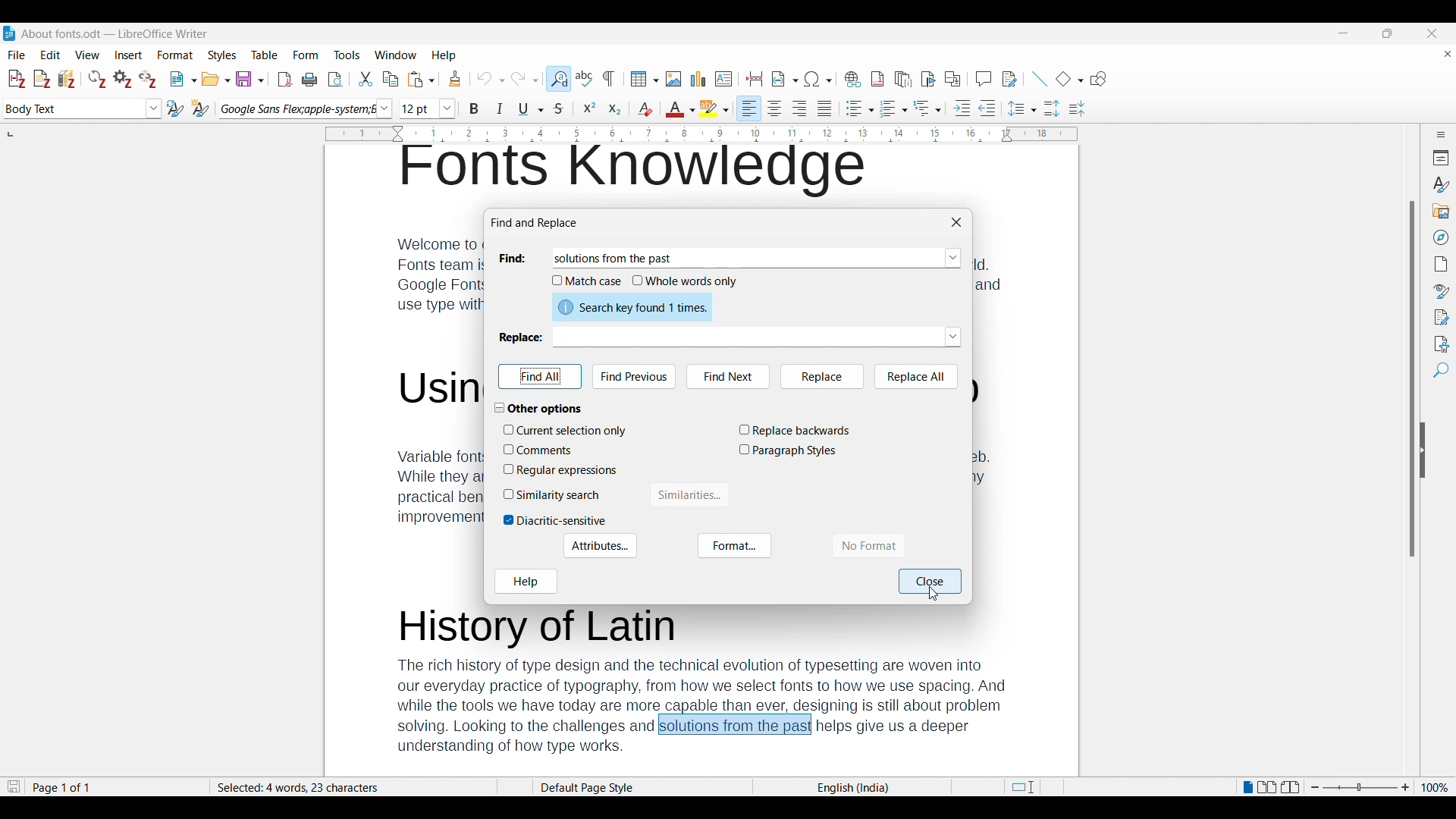 The width and height of the screenshot is (1456, 819). What do you see at coordinates (519, 337) in the screenshot?
I see `Replace:` at bounding box center [519, 337].